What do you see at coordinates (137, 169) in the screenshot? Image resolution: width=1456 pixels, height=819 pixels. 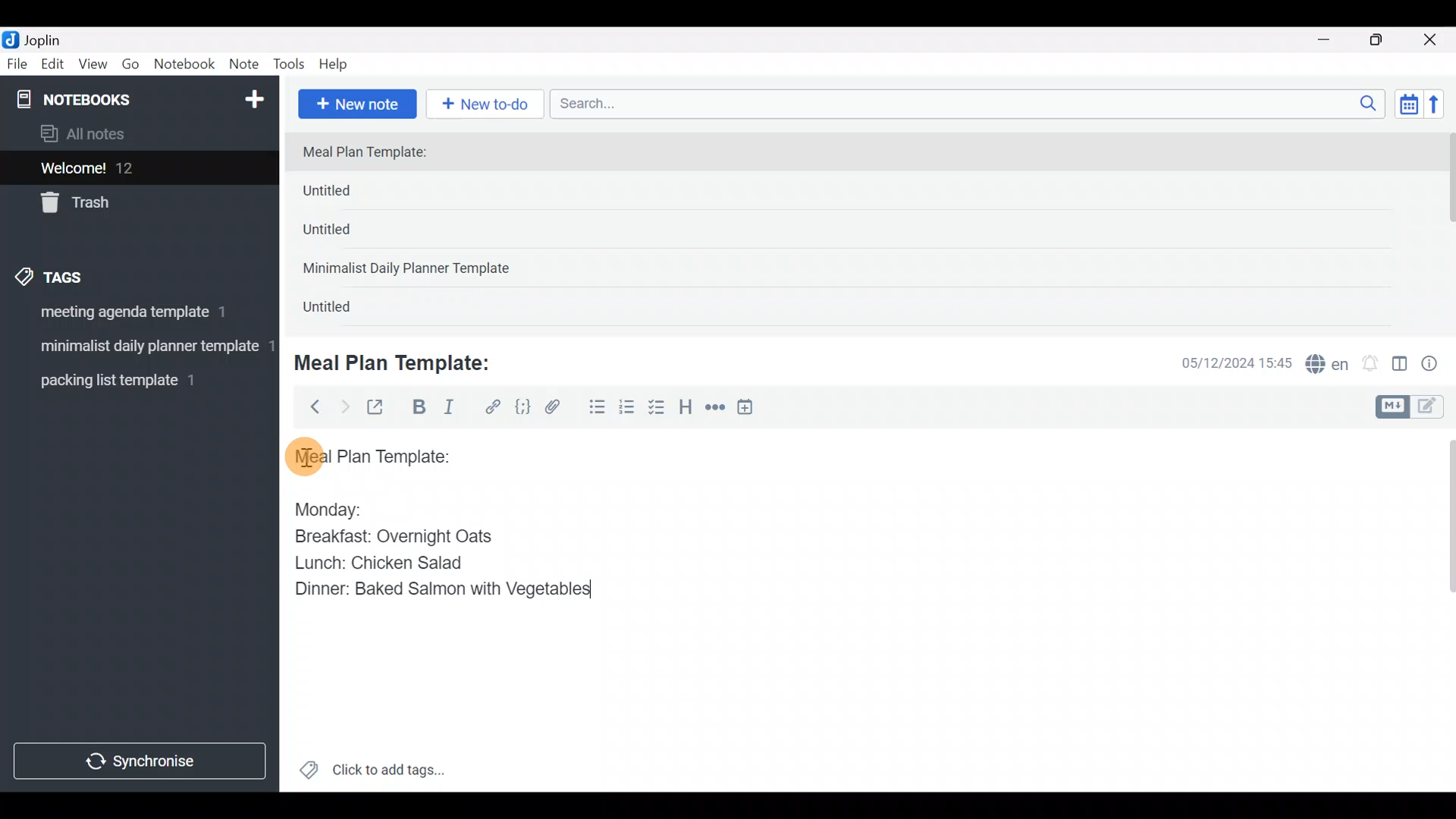 I see `Welcome!` at bounding box center [137, 169].